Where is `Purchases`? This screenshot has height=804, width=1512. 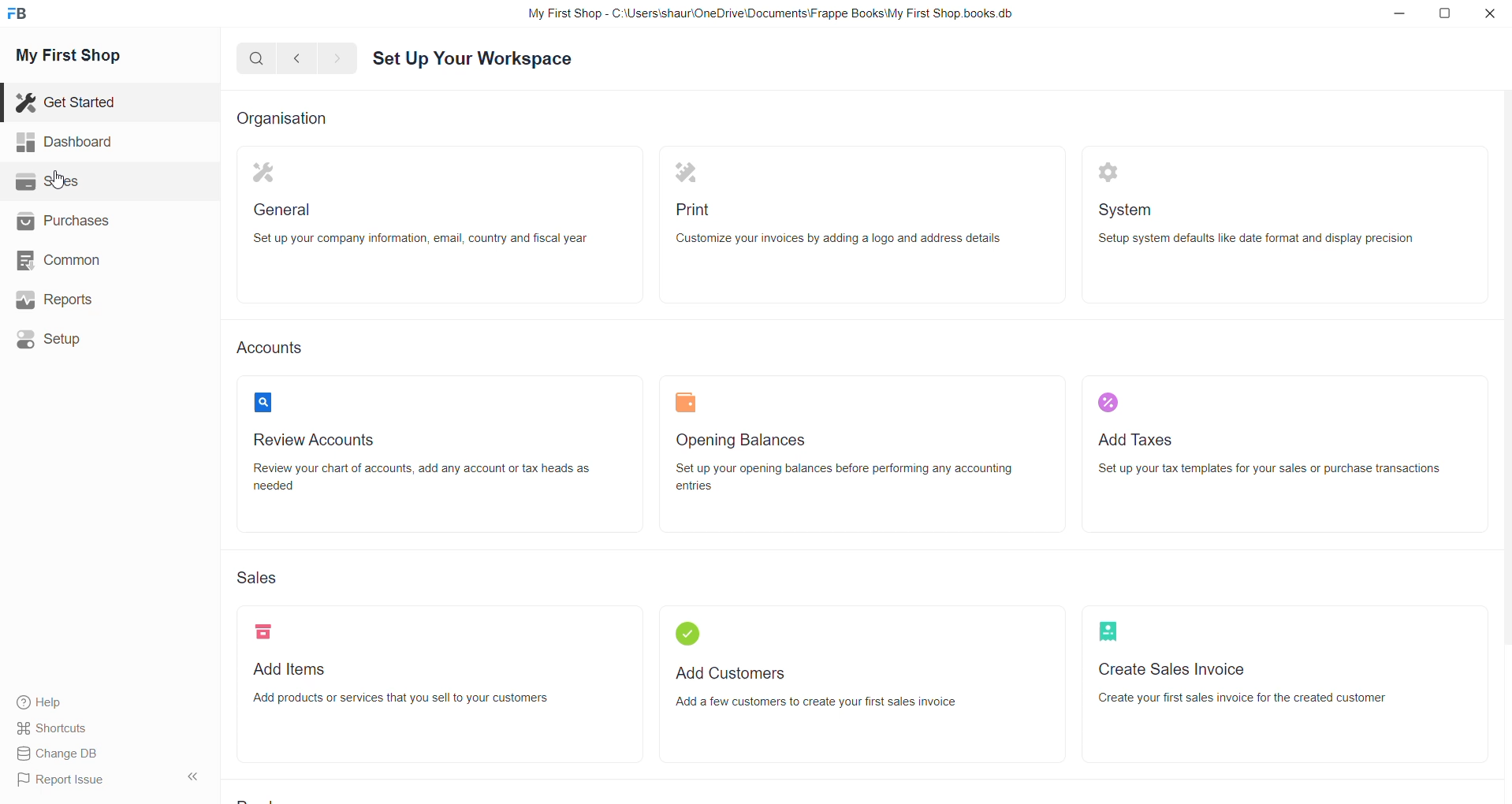 Purchases is located at coordinates (64, 225).